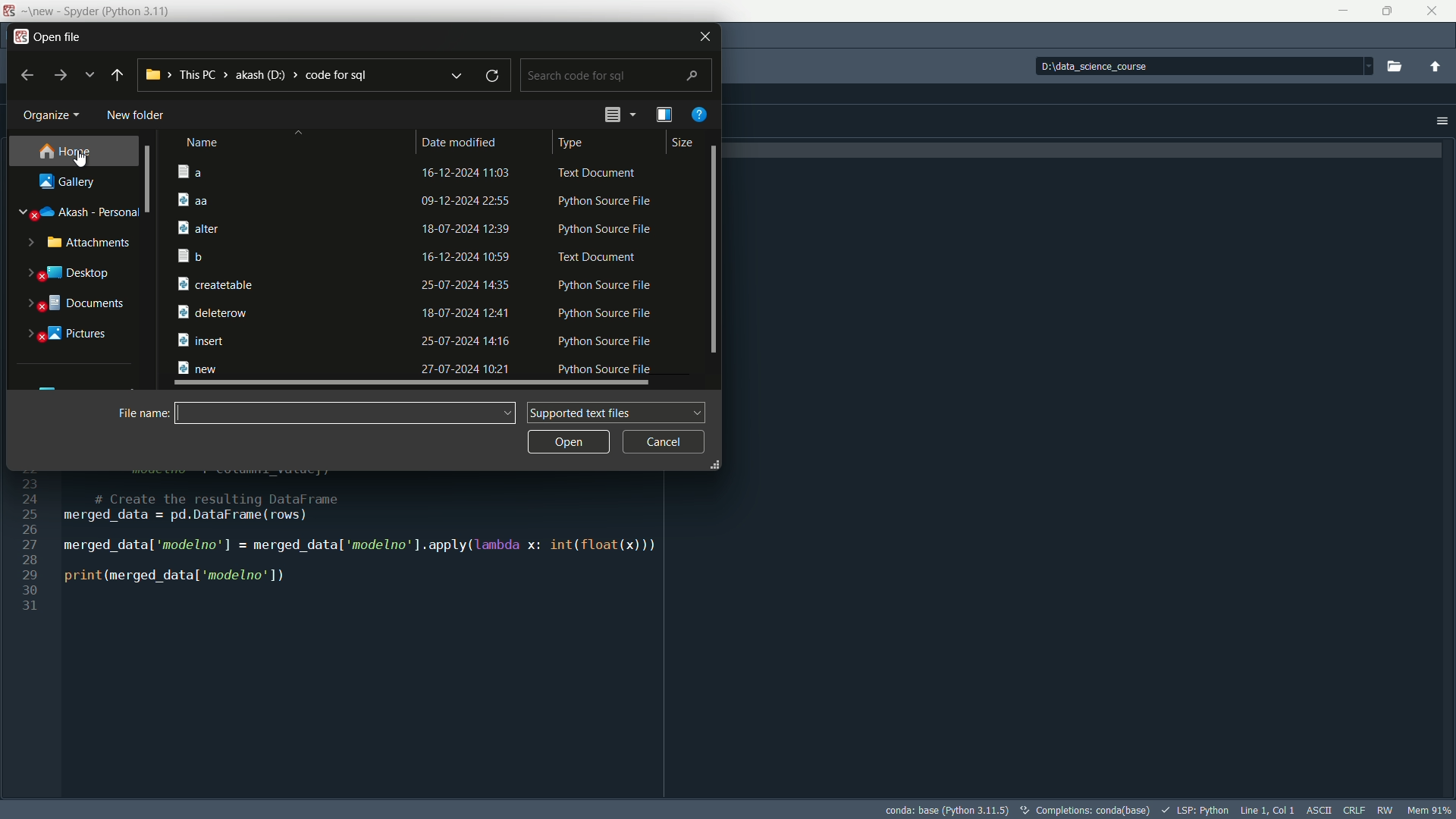  Describe the element at coordinates (417, 384) in the screenshot. I see `scroll bar` at that location.